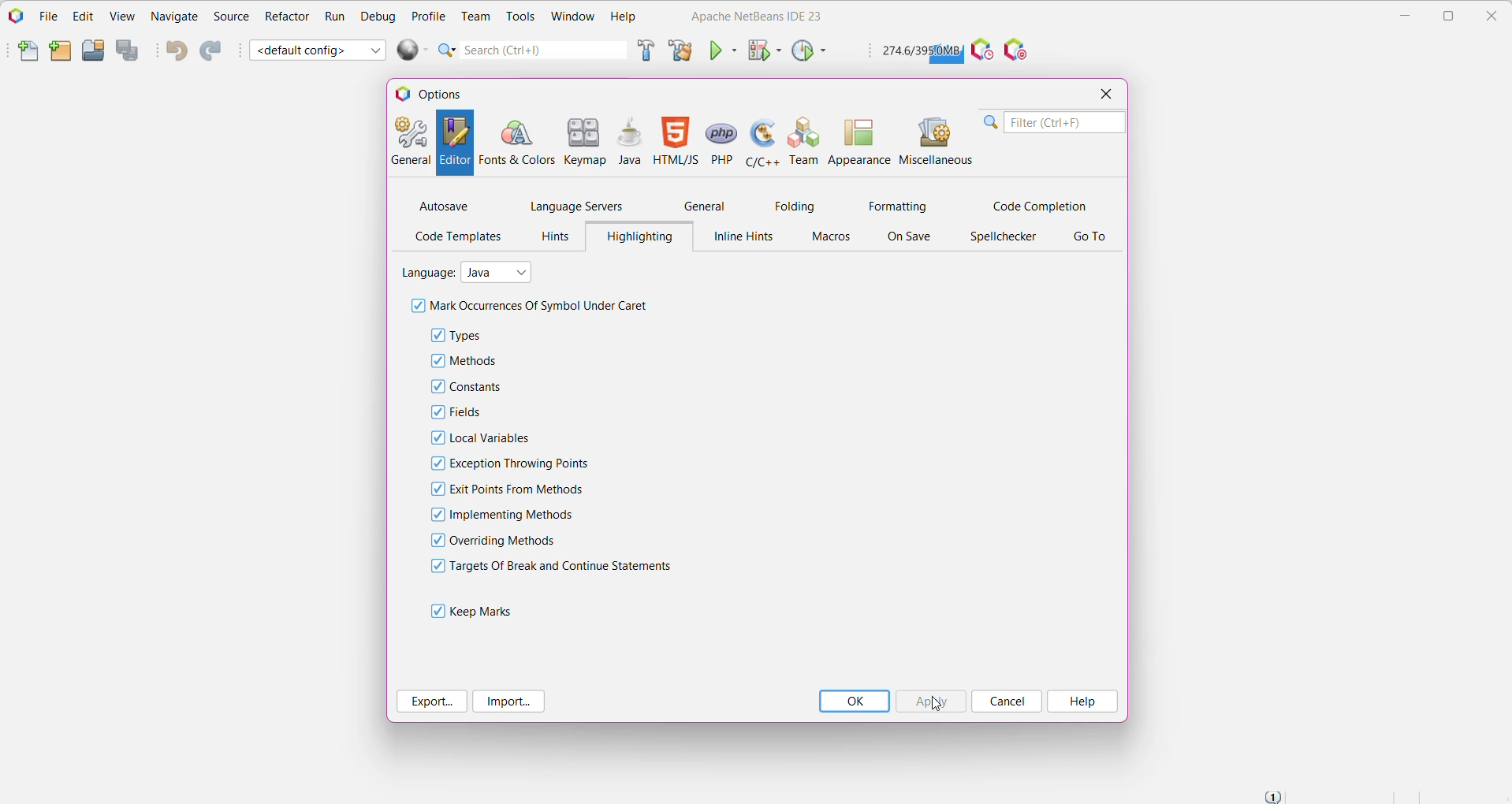  What do you see at coordinates (804, 142) in the screenshot?
I see `Team` at bounding box center [804, 142].